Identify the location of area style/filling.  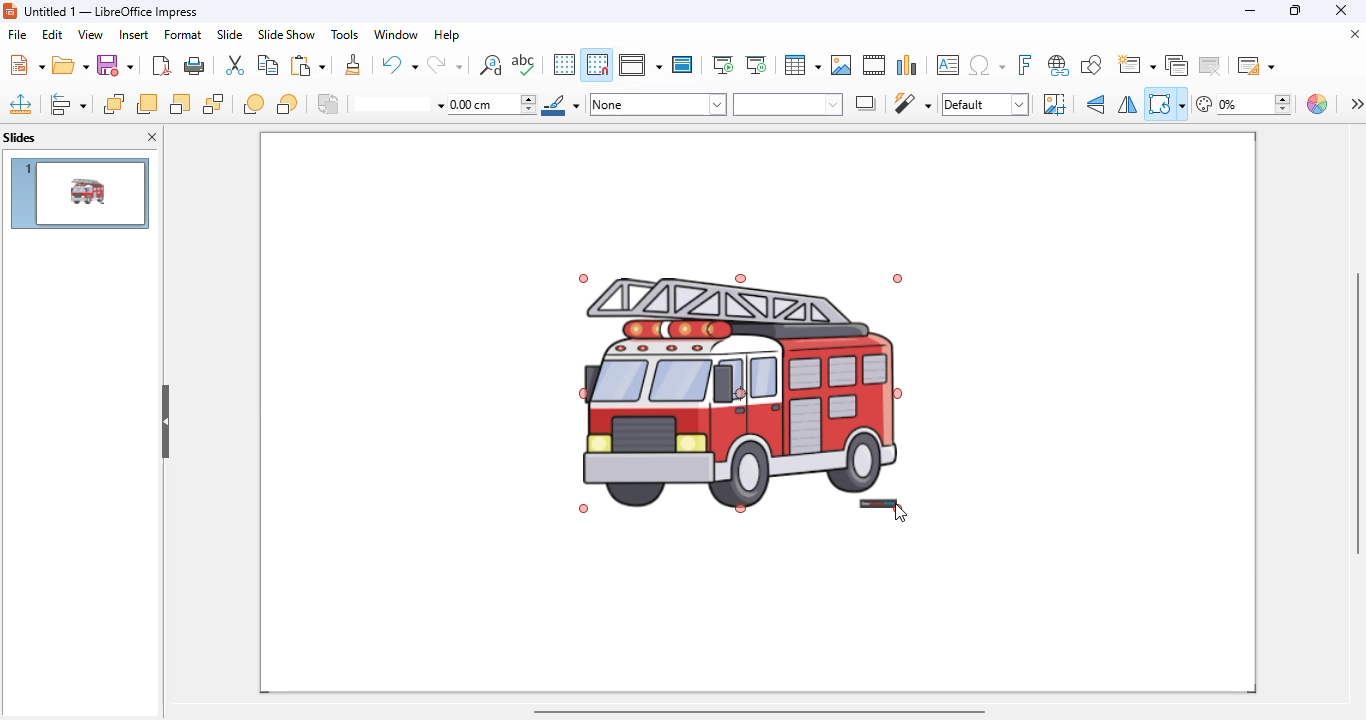
(659, 104).